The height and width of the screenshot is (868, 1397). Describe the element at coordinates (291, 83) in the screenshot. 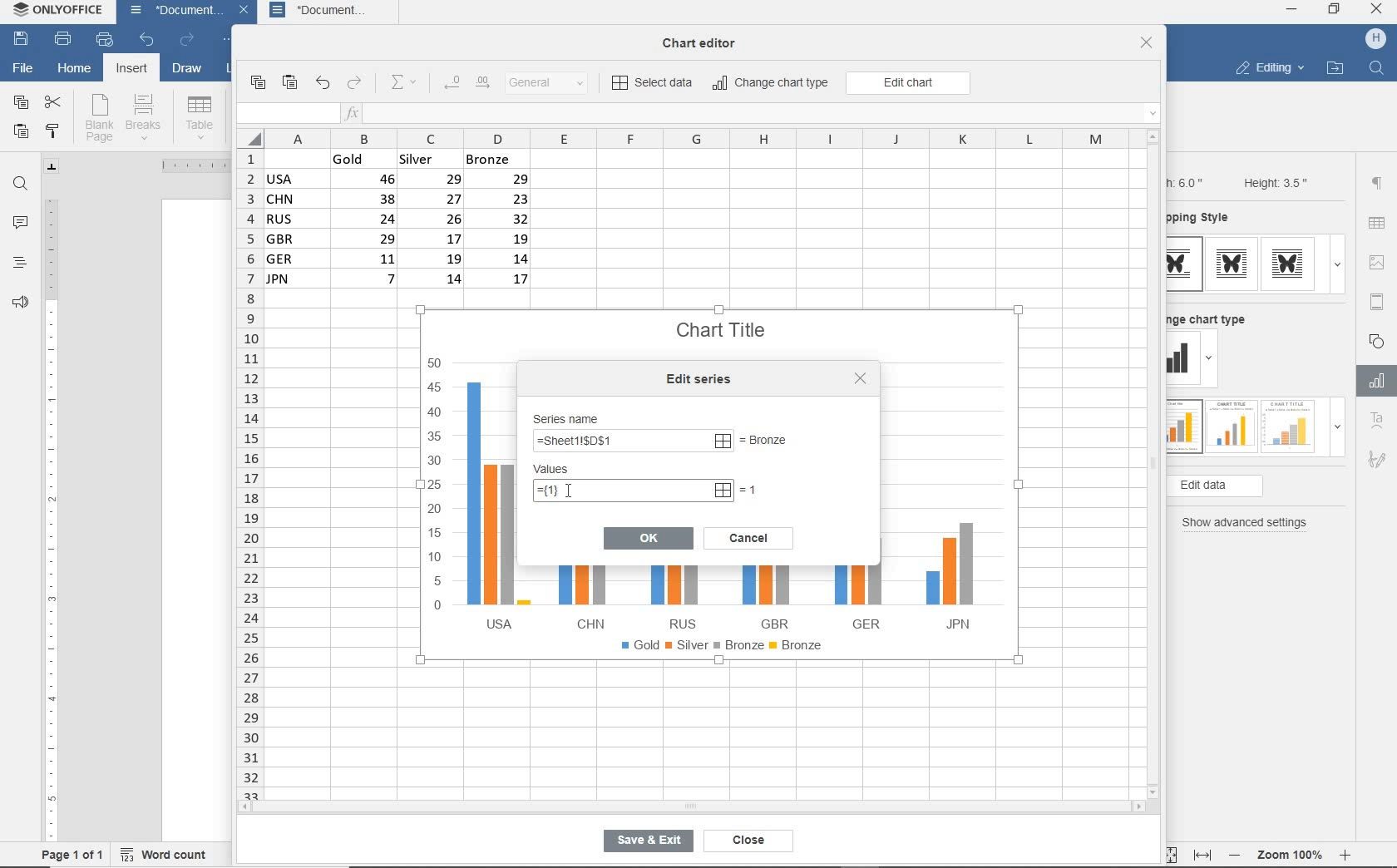

I see `paste` at that location.